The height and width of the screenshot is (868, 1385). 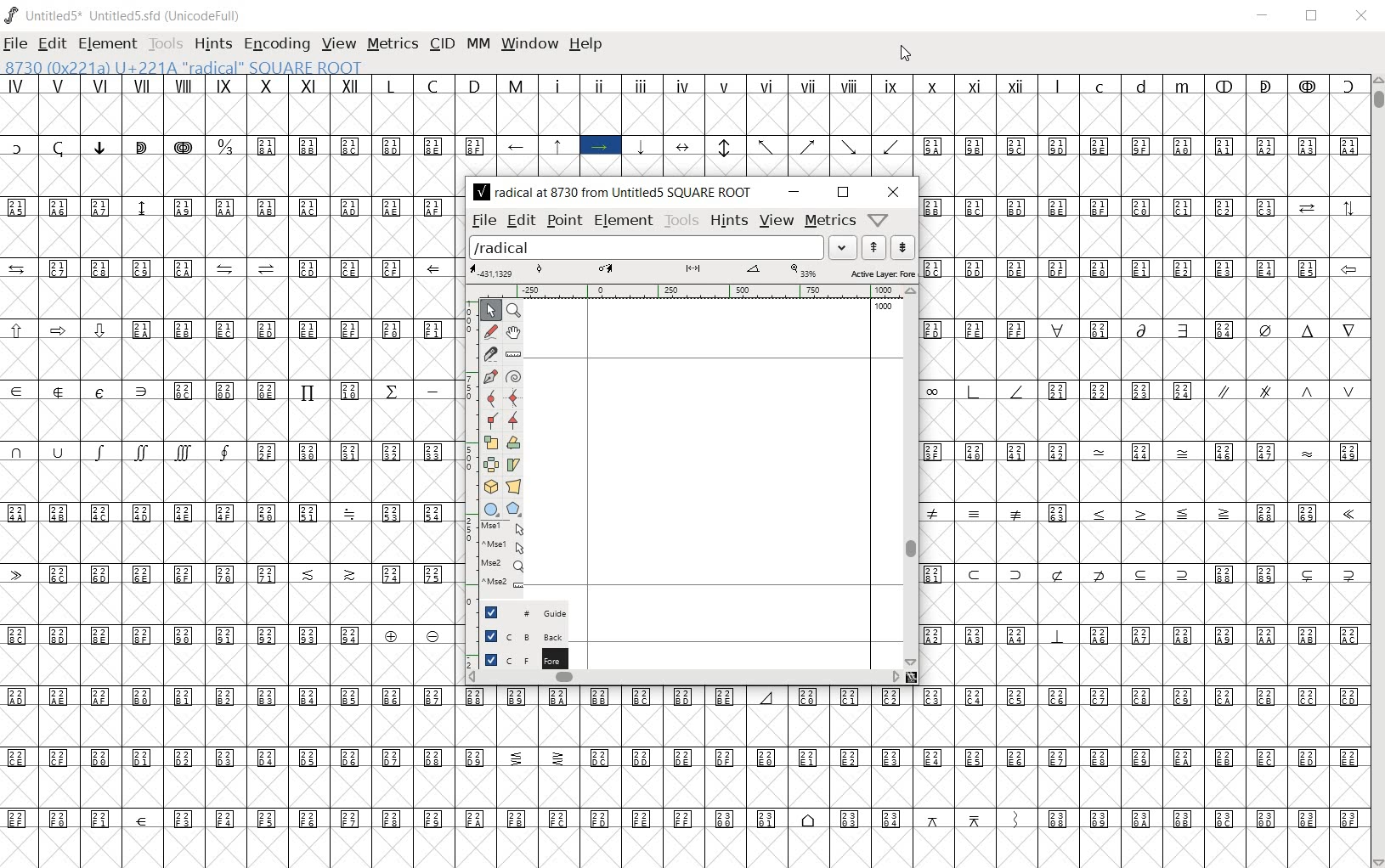 What do you see at coordinates (875, 246) in the screenshot?
I see `show the next word on the list` at bounding box center [875, 246].